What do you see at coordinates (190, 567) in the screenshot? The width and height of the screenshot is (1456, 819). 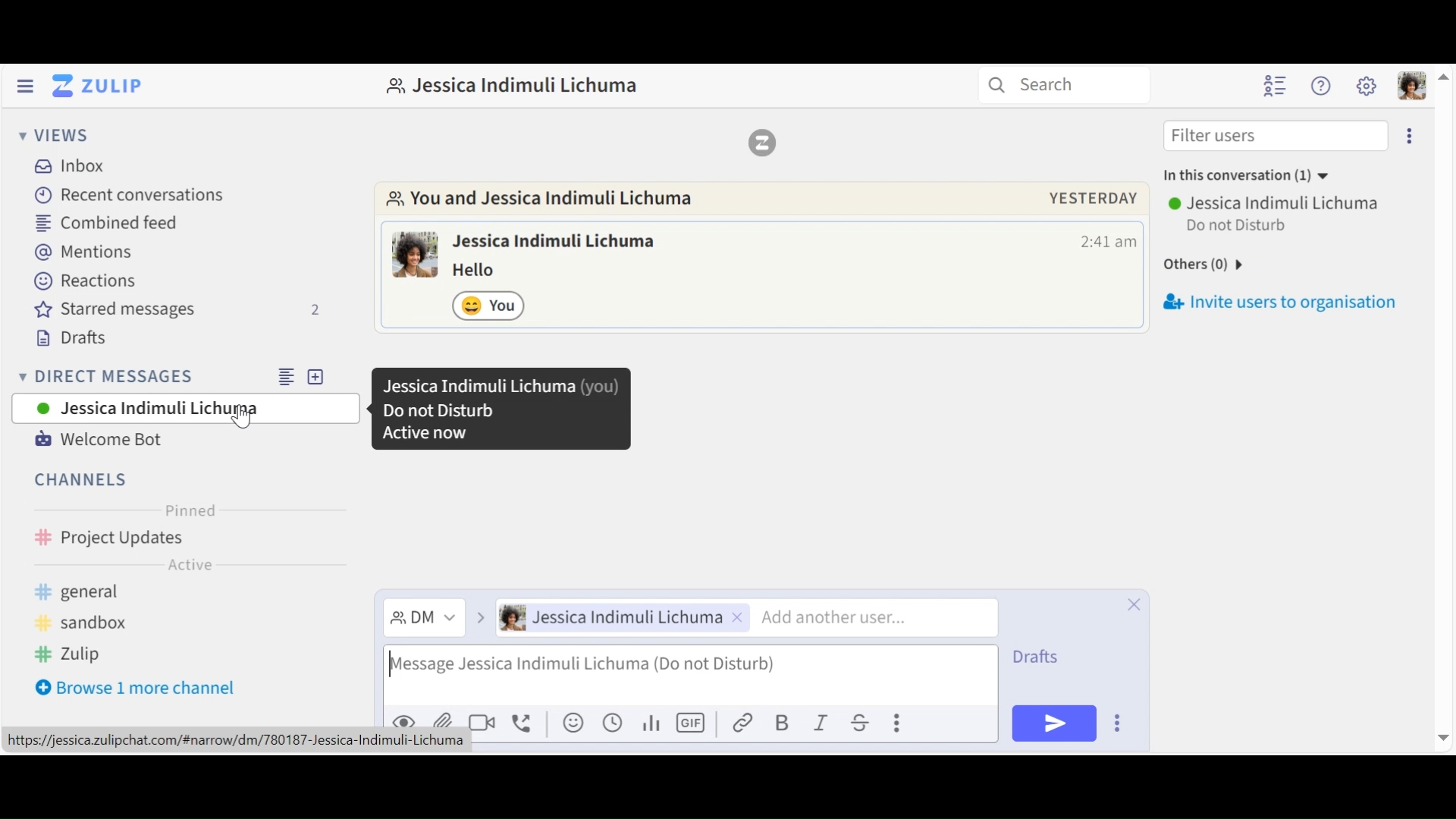 I see `Active` at bounding box center [190, 567].